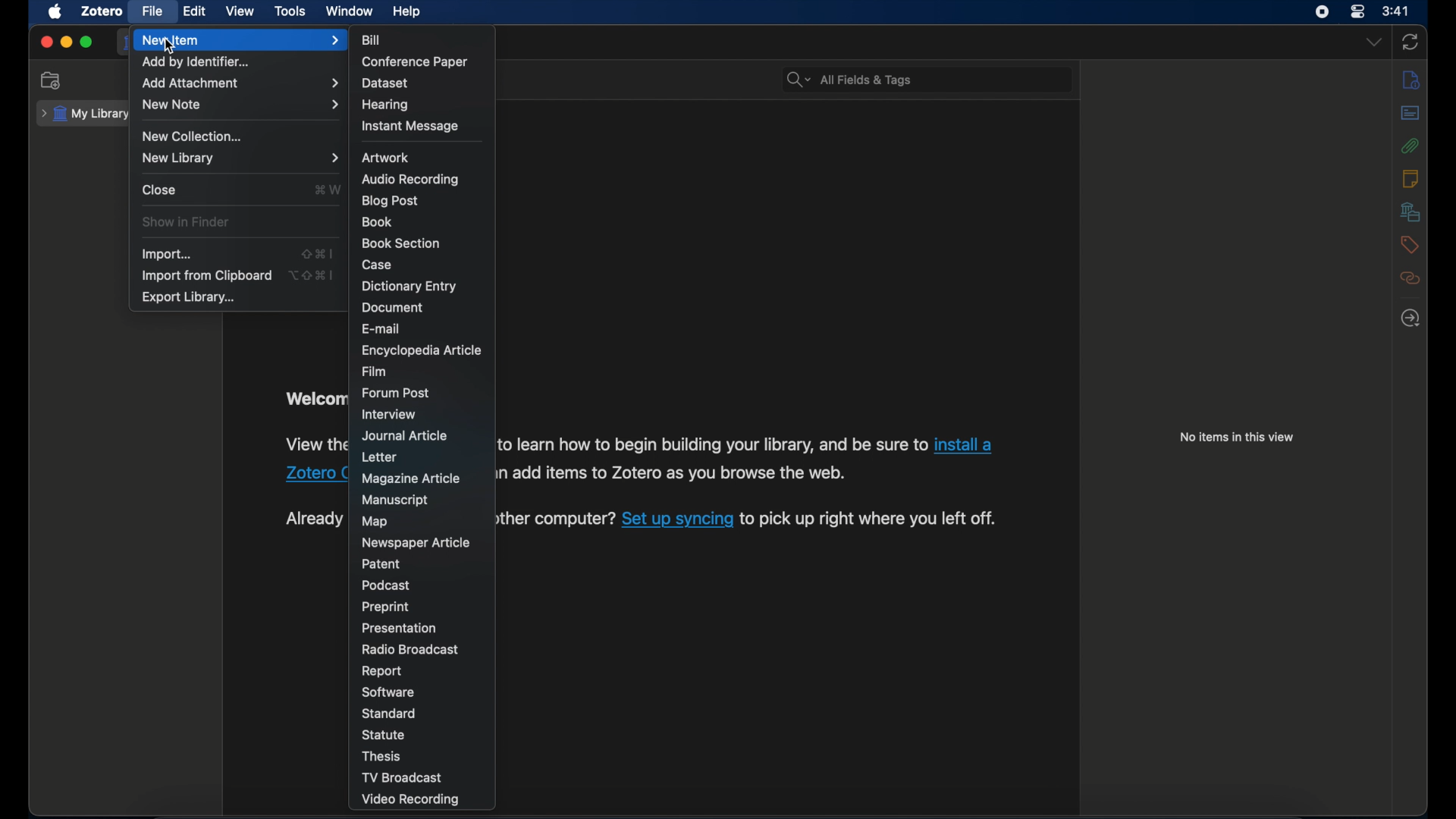 The image size is (1456, 819). What do you see at coordinates (422, 350) in the screenshot?
I see `encyclopedia article` at bounding box center [422, 350].